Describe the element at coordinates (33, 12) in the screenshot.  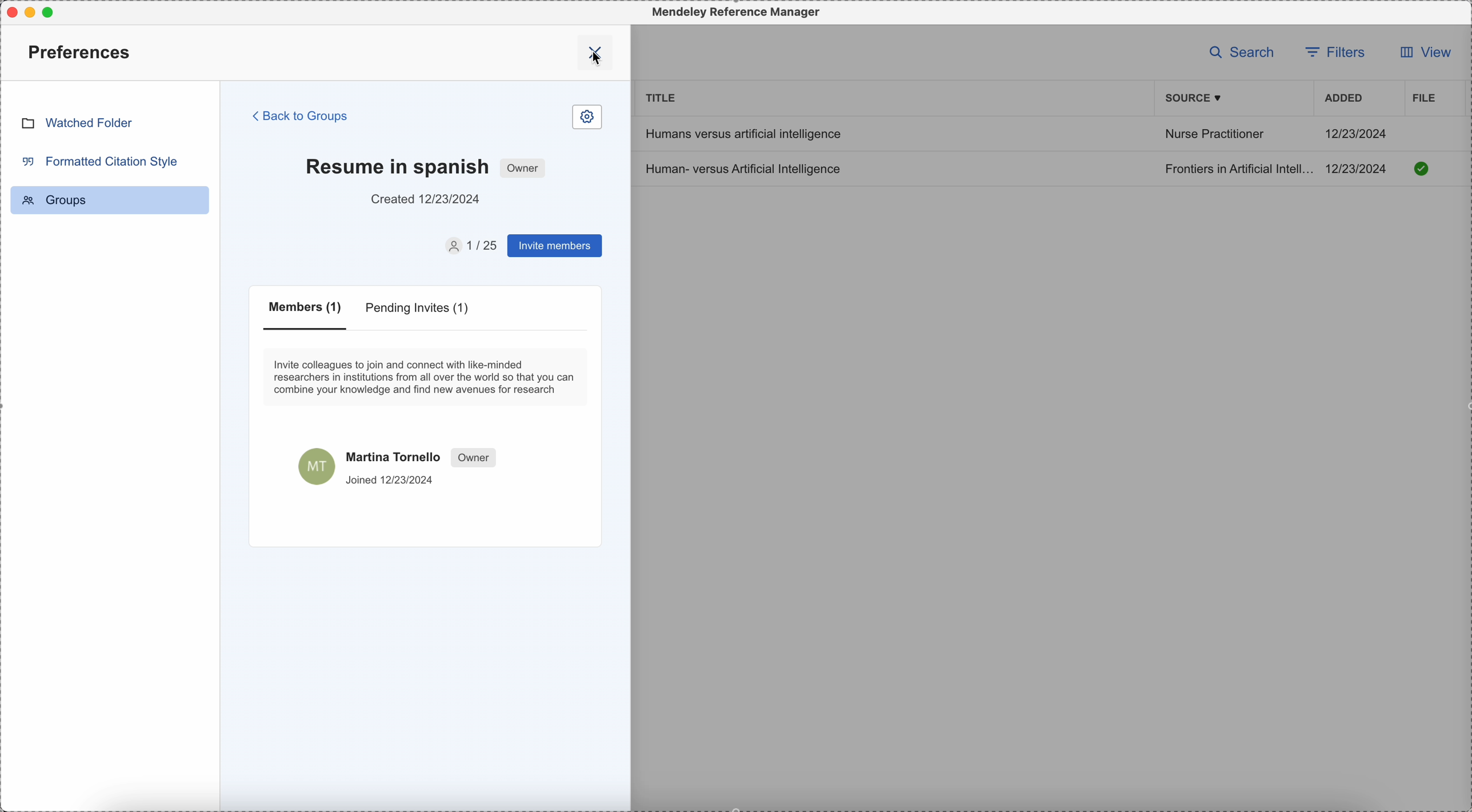
I see `minimize` at that location.